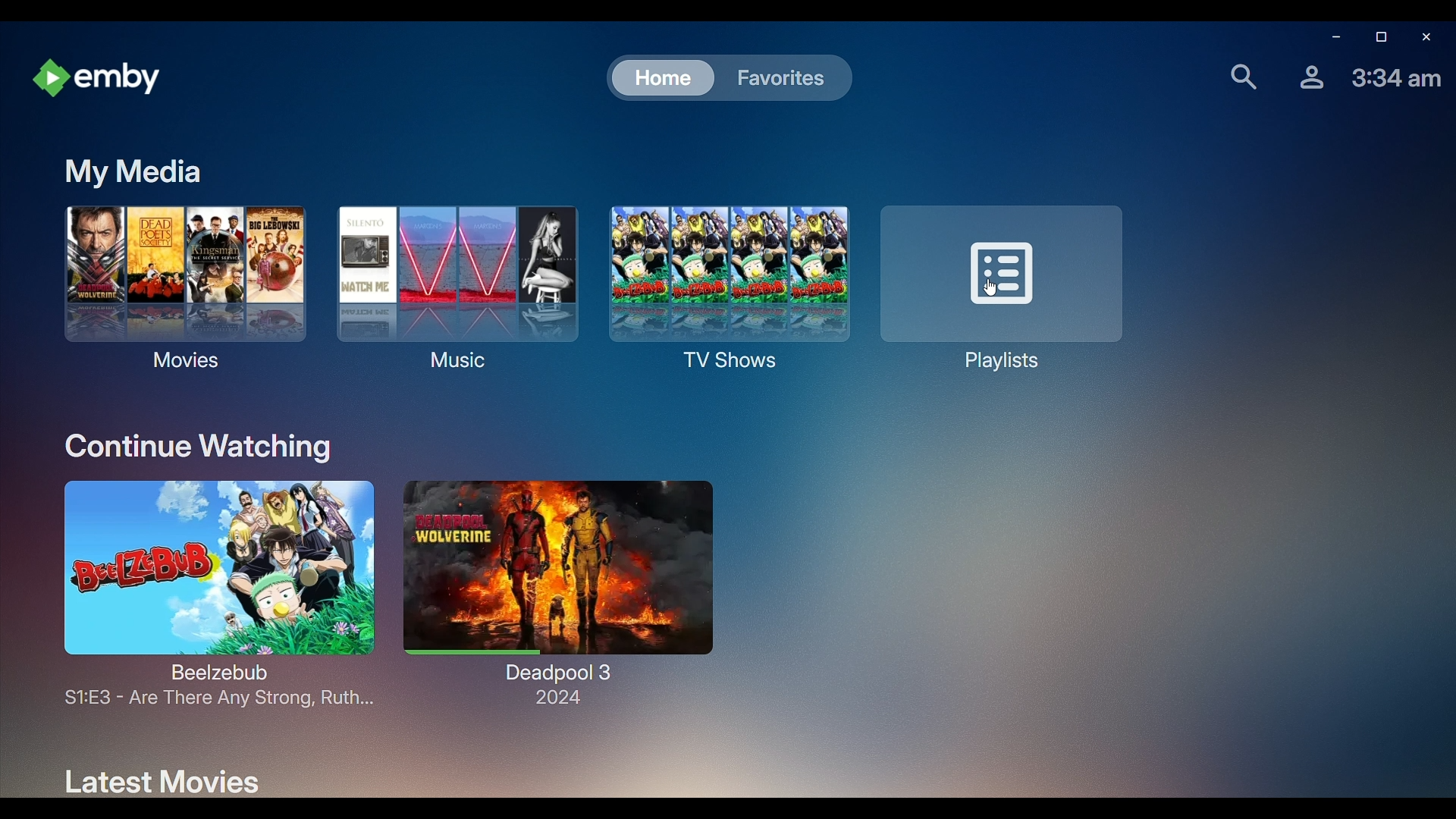 The image size is (1456, 819). Describe the element at coordinates (566, 590) in the screenshot. I see `Deadpool 3` at that location.